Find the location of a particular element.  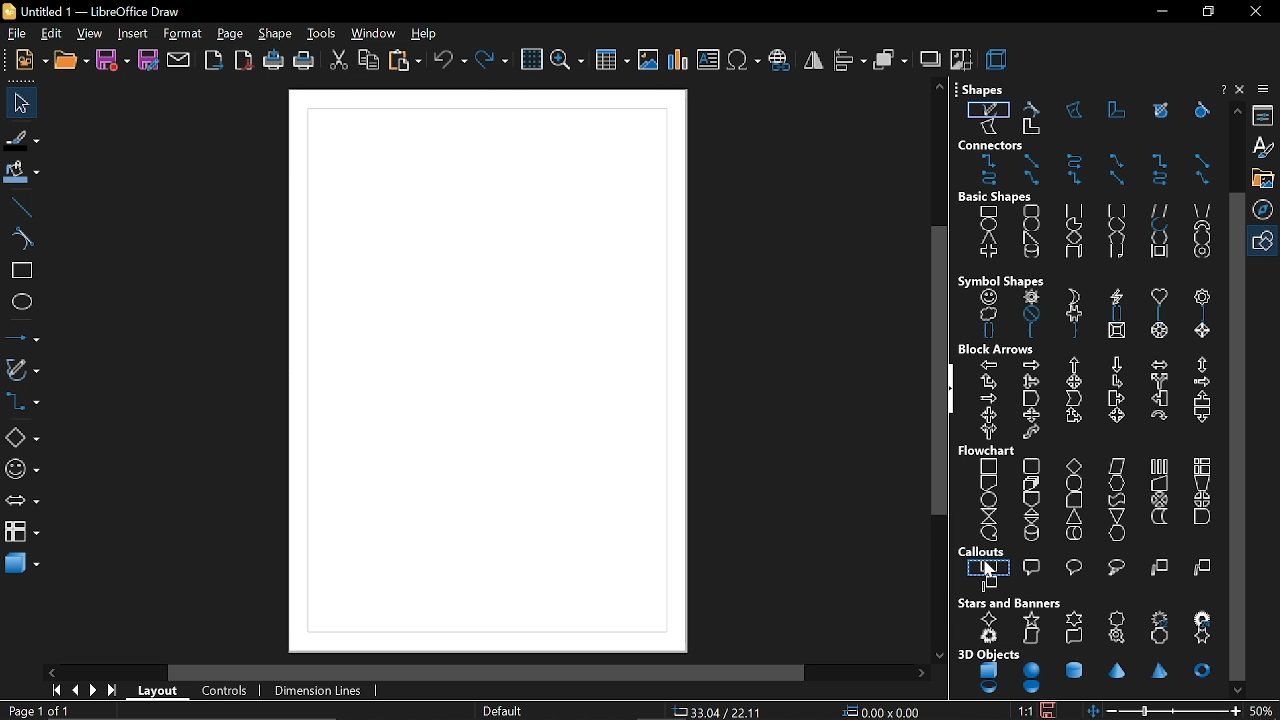

vertical scrollbar is located at coordinates (1236, 437).